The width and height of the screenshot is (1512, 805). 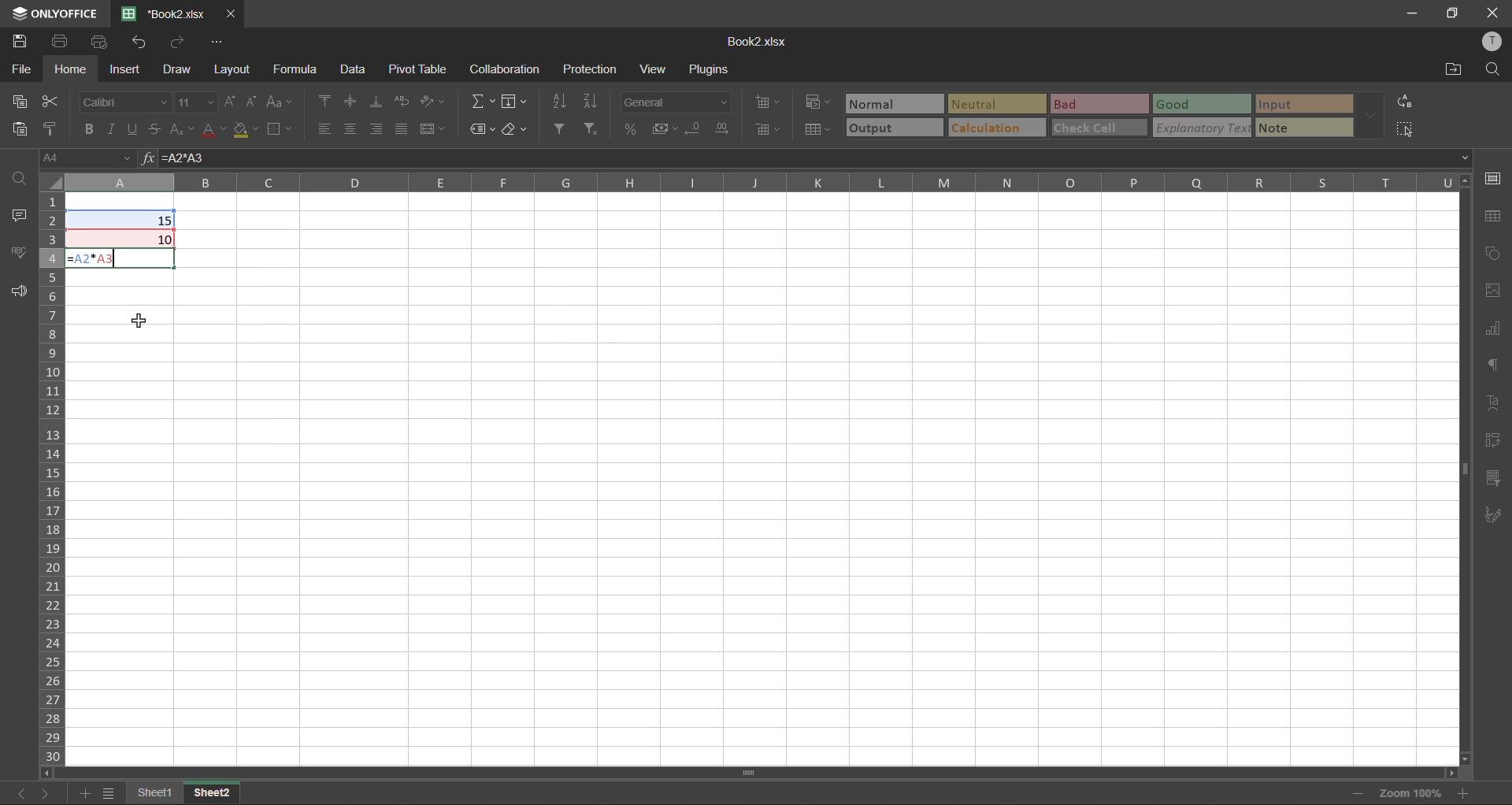 I want to click on increment size, so click(x=230, y=101).